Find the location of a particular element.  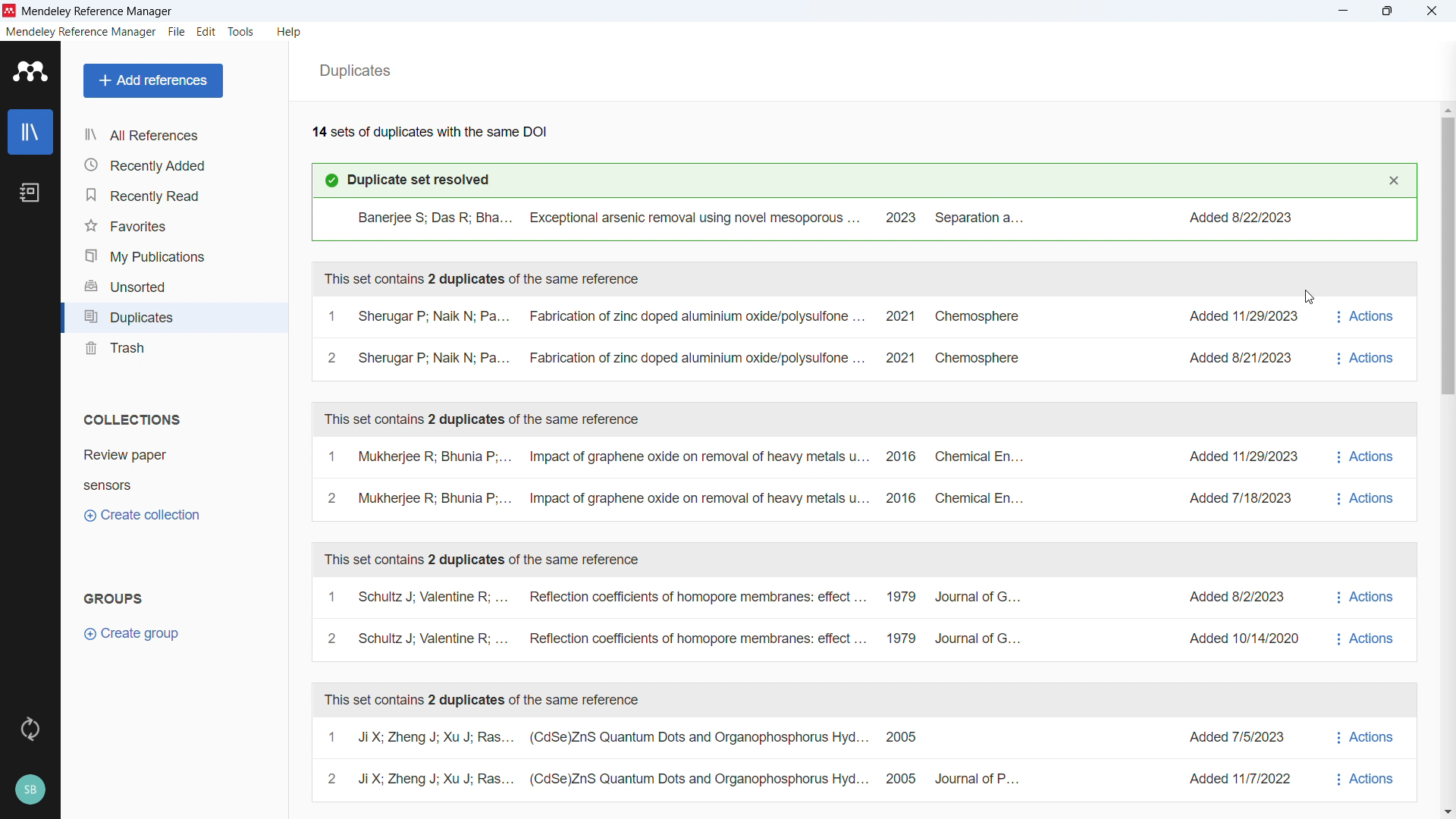

Added 11/7/2022 is located at coordinates (1239, 779).